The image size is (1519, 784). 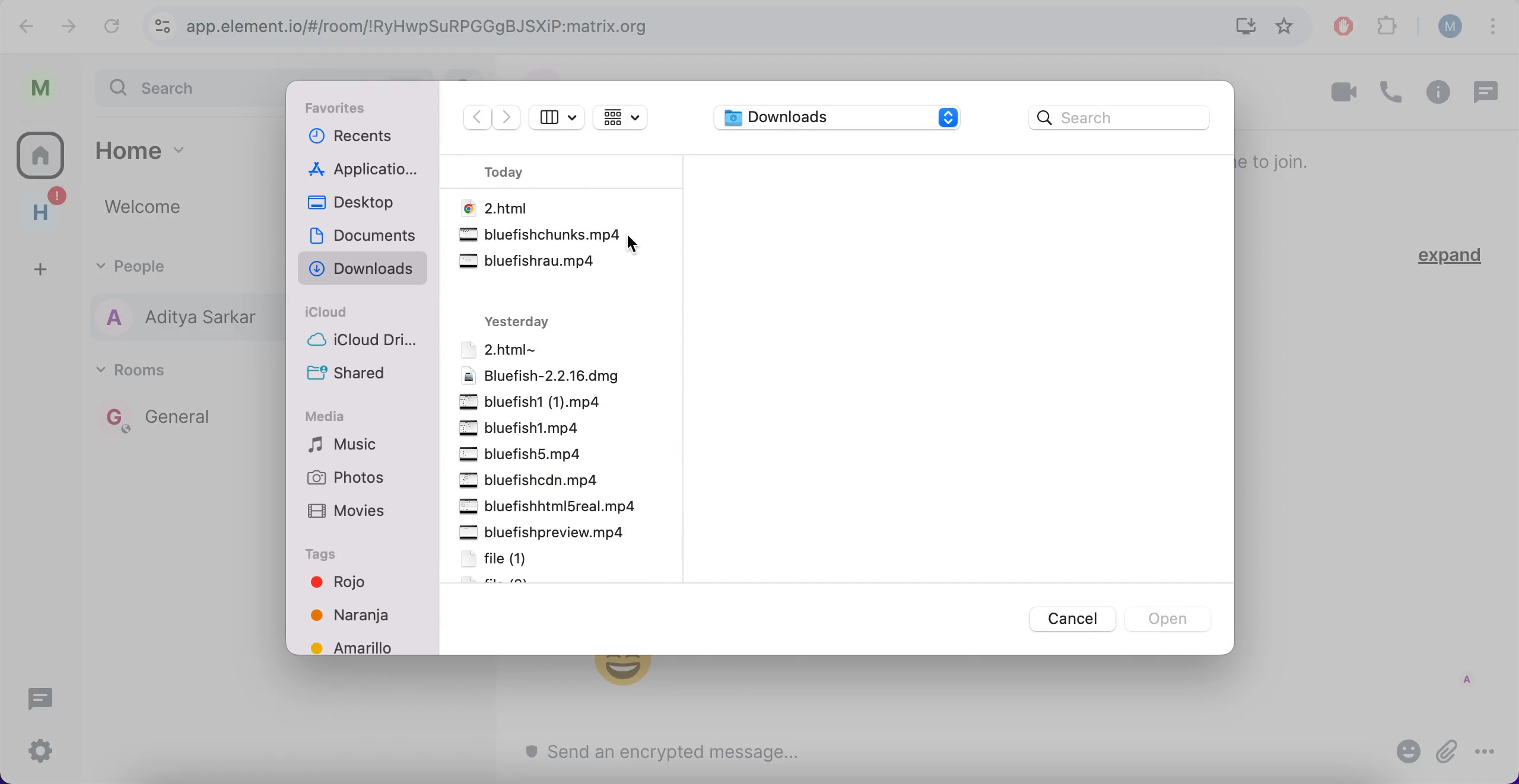 What do you see at coordinates (1124, 118) in the screenshot?
I see `search` at bounding box center [1124, 118].